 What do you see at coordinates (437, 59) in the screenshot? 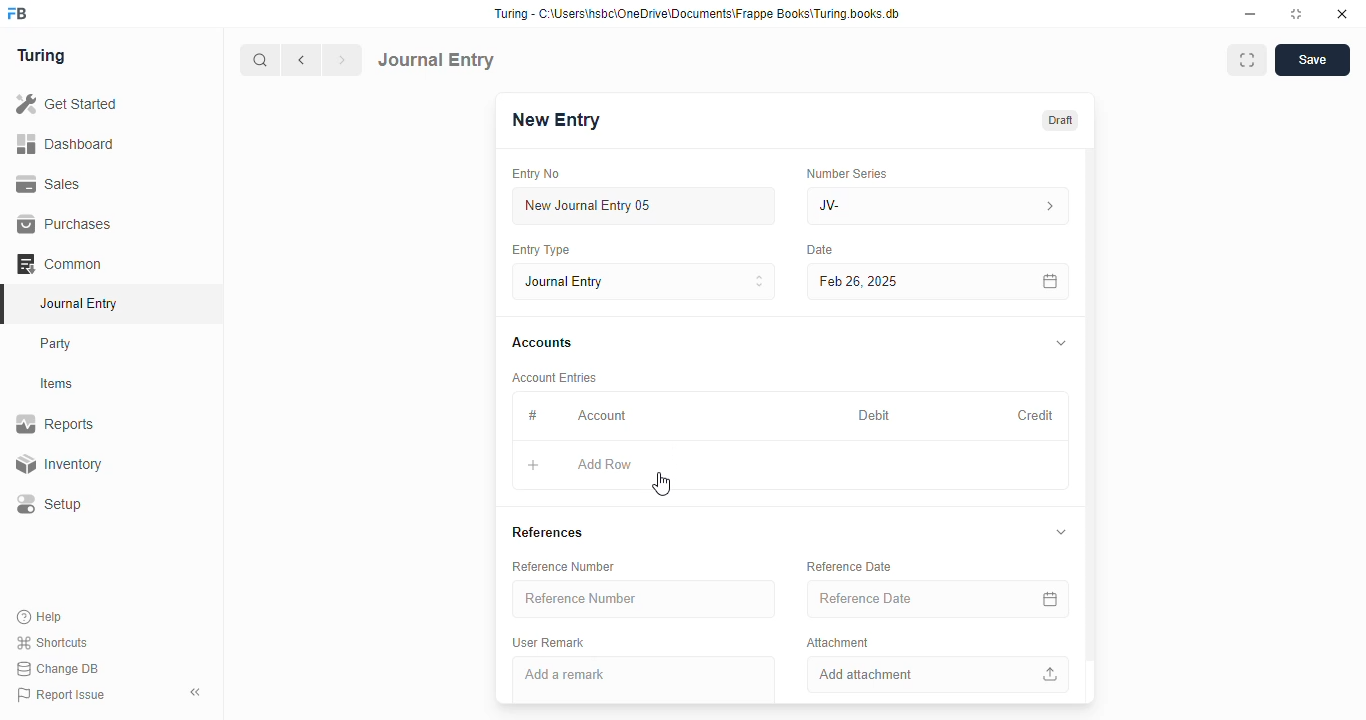
I see `journal entry` at bounding box center [437, 59].